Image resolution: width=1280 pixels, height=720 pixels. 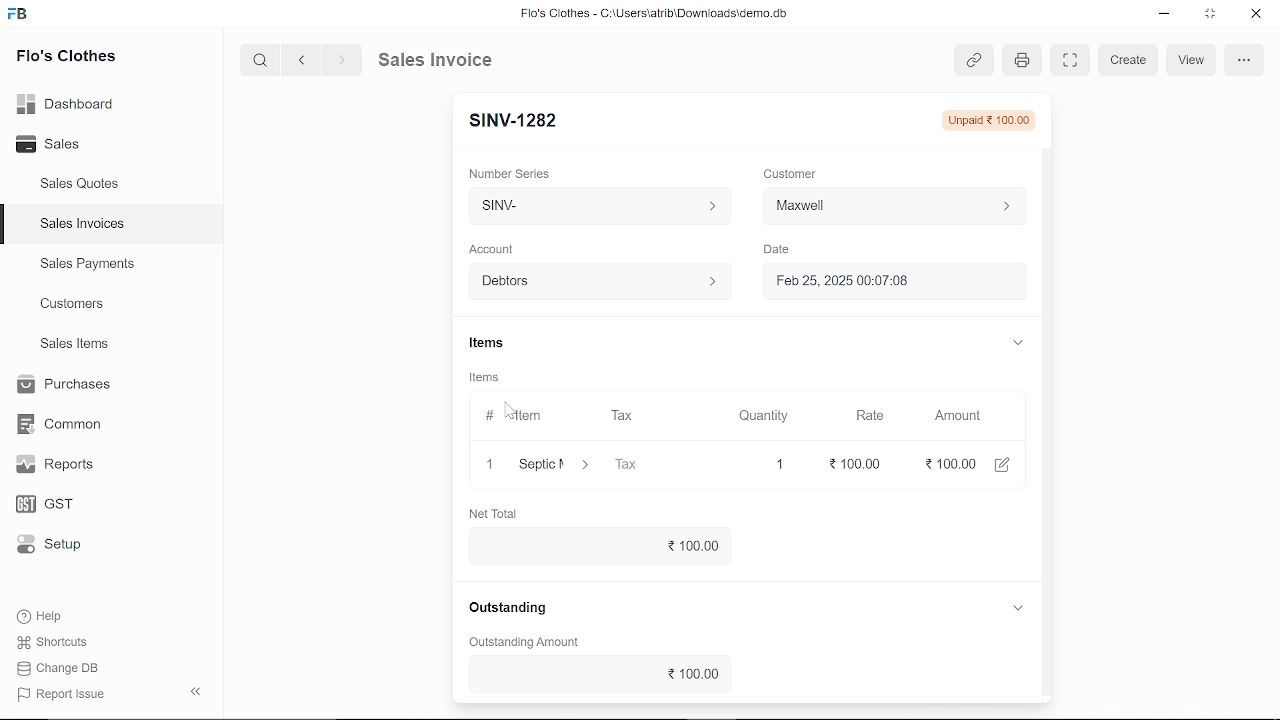 I want to click on Sales Items., so click(x=76, y=345).